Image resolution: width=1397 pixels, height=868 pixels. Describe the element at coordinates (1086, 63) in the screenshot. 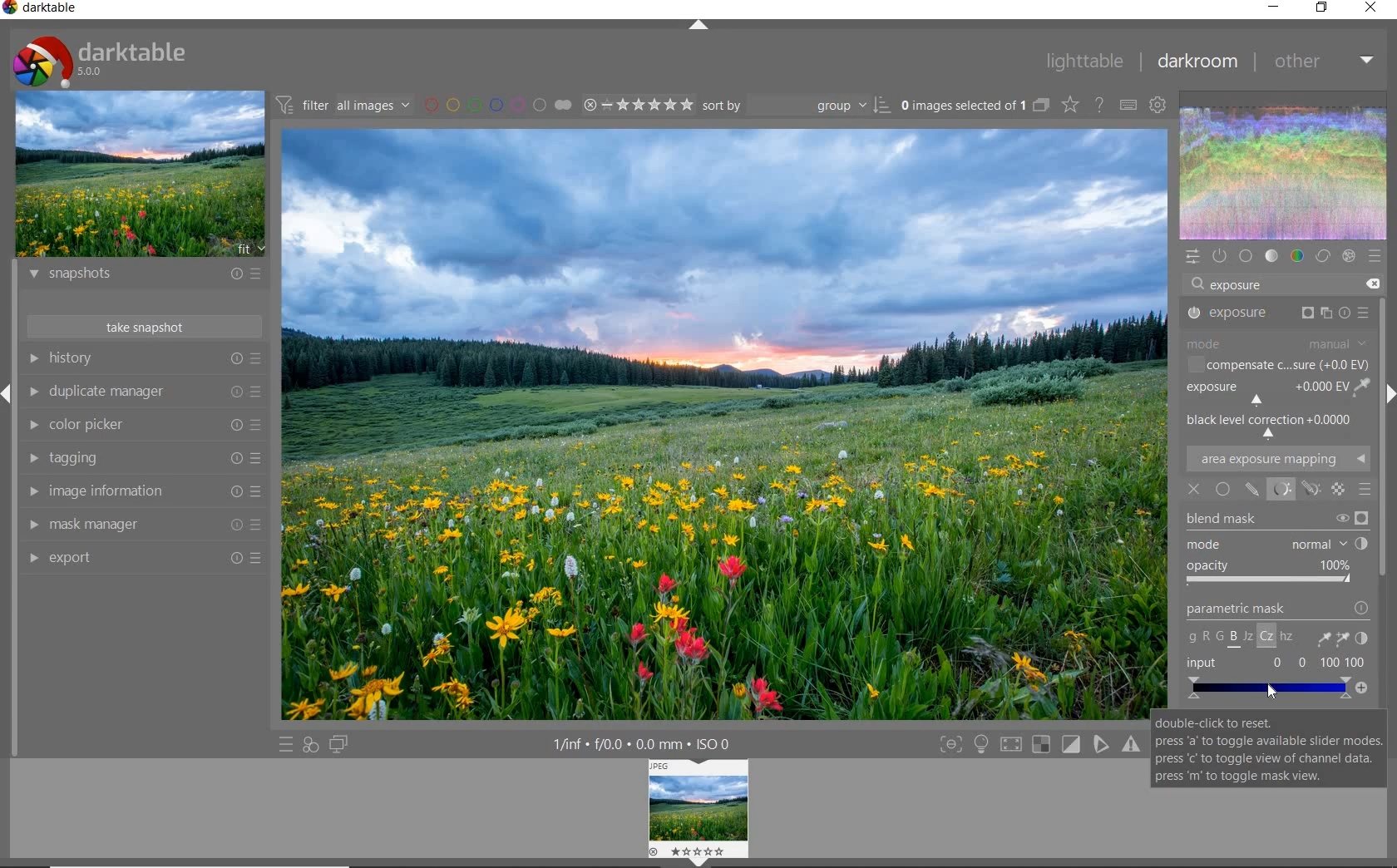

I see `lighttable` at that location.